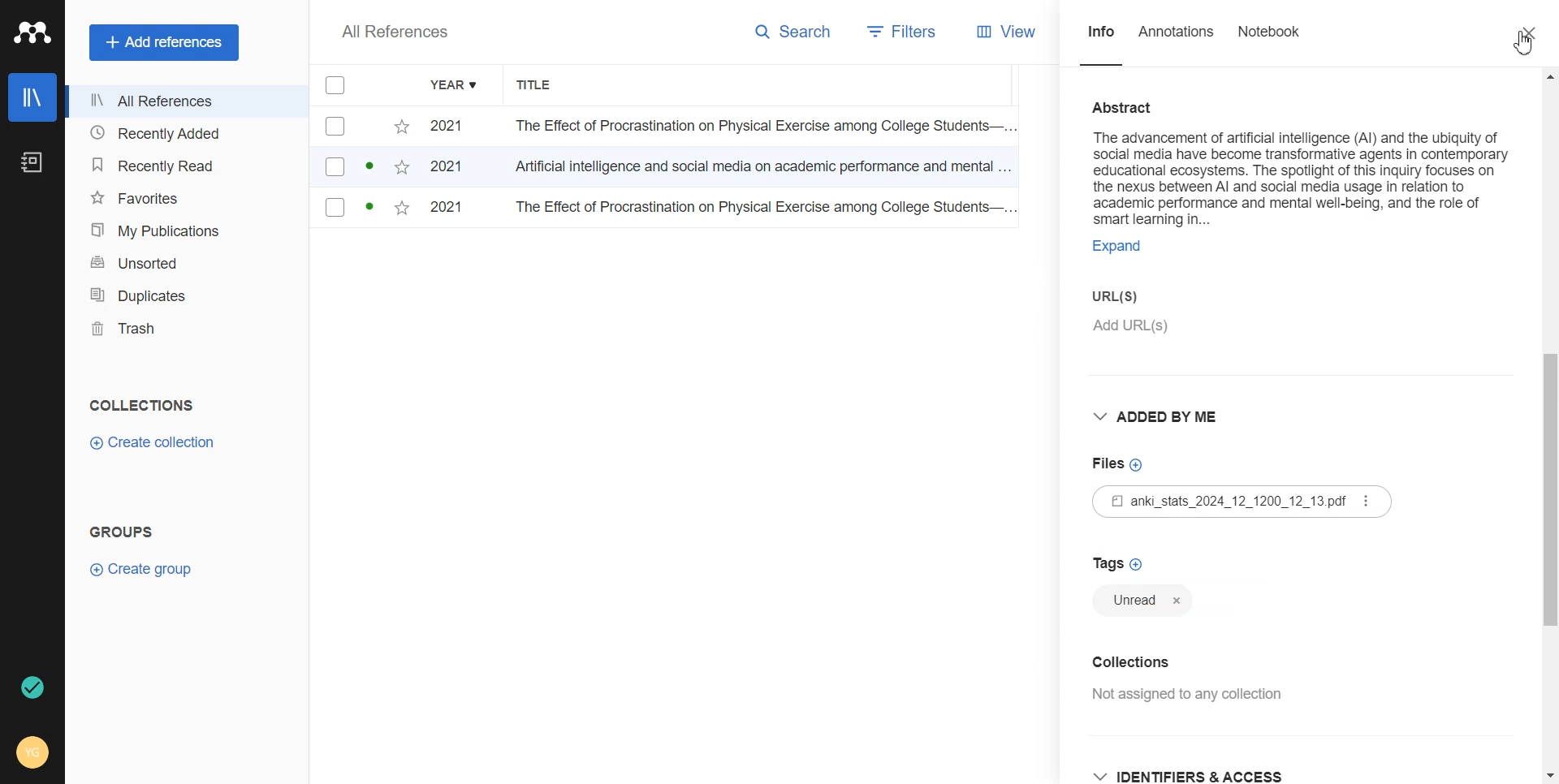 The width and height of the screenshot is (1559, 784). Describe the element at coordinates (762, 209) in the screenshot. I see `The Effect of Procrastination on Physical Exercise among College Students...` at that location.